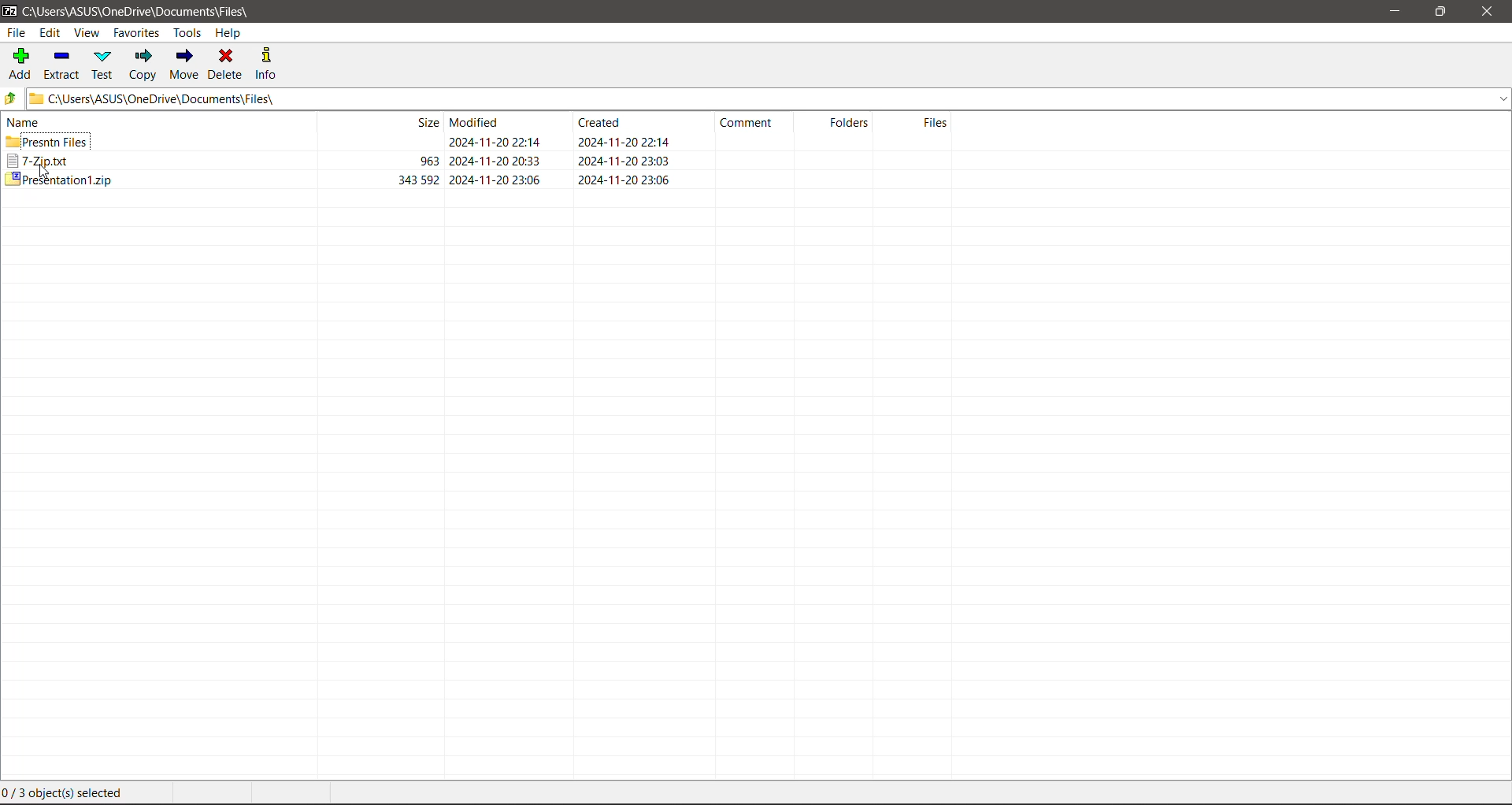  I want to click on Name, so click(27, 121).